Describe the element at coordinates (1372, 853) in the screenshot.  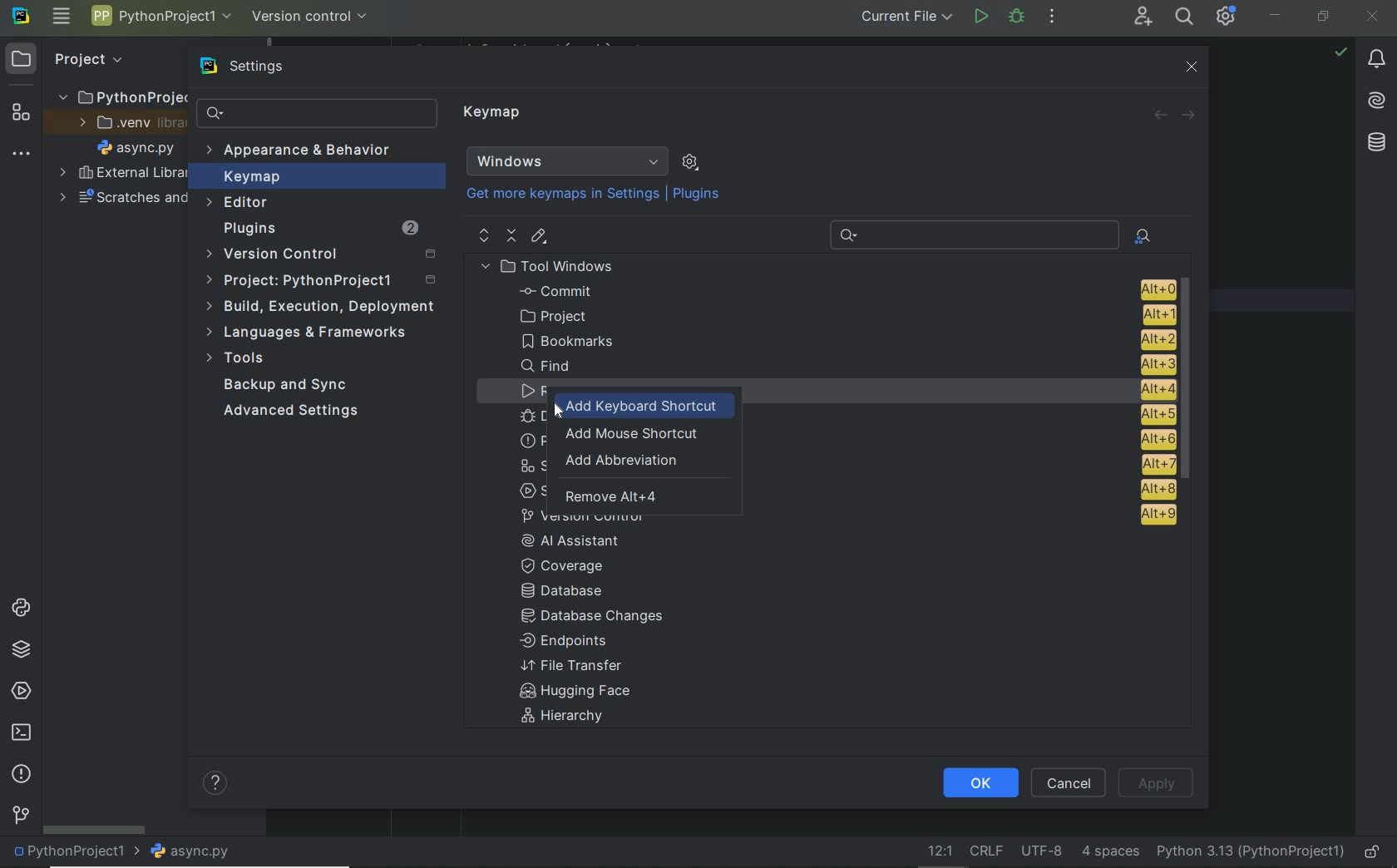
I see `make file ready only` at that location.